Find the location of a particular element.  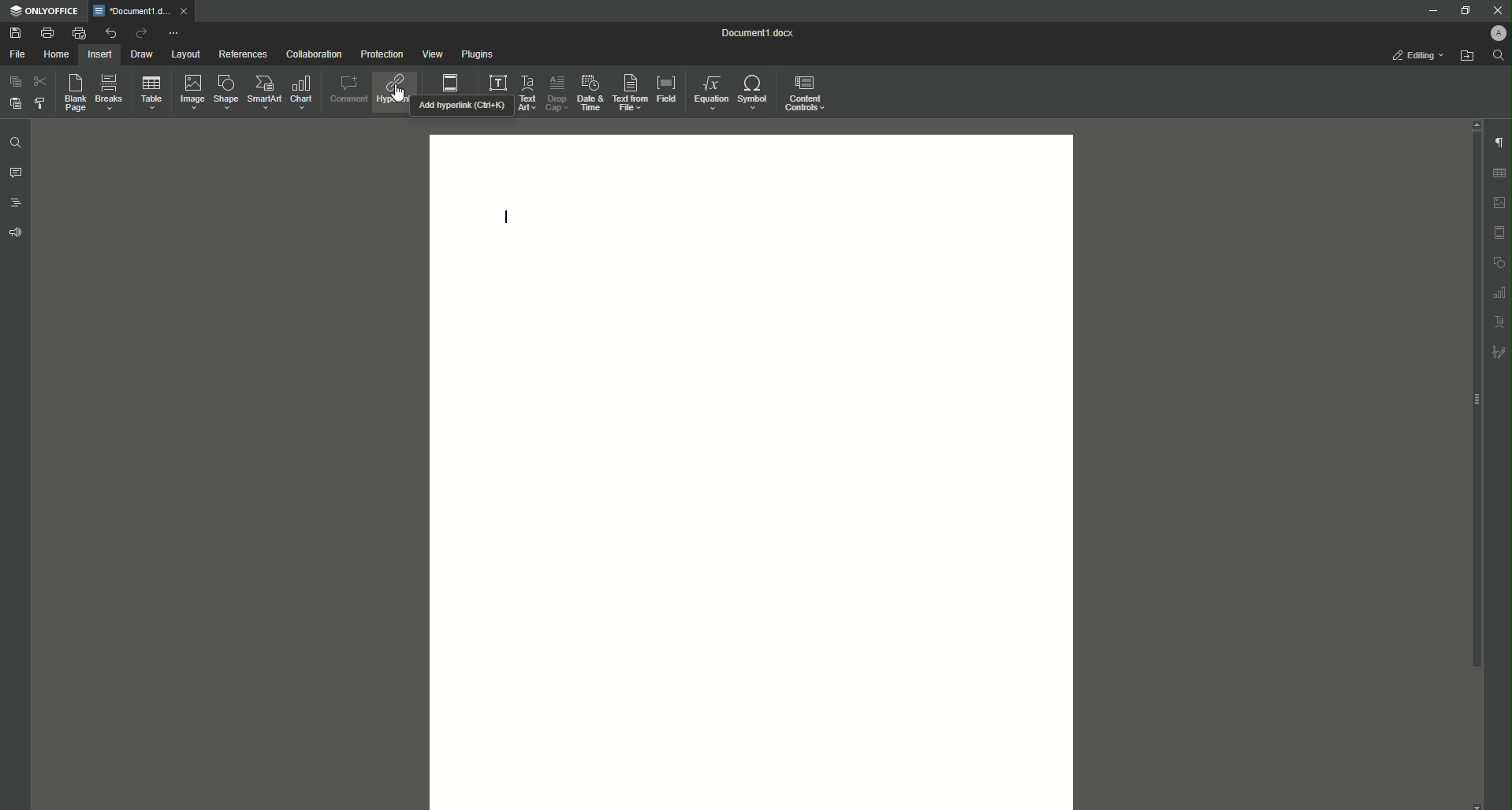

Find is located at coordinates (16, 143).